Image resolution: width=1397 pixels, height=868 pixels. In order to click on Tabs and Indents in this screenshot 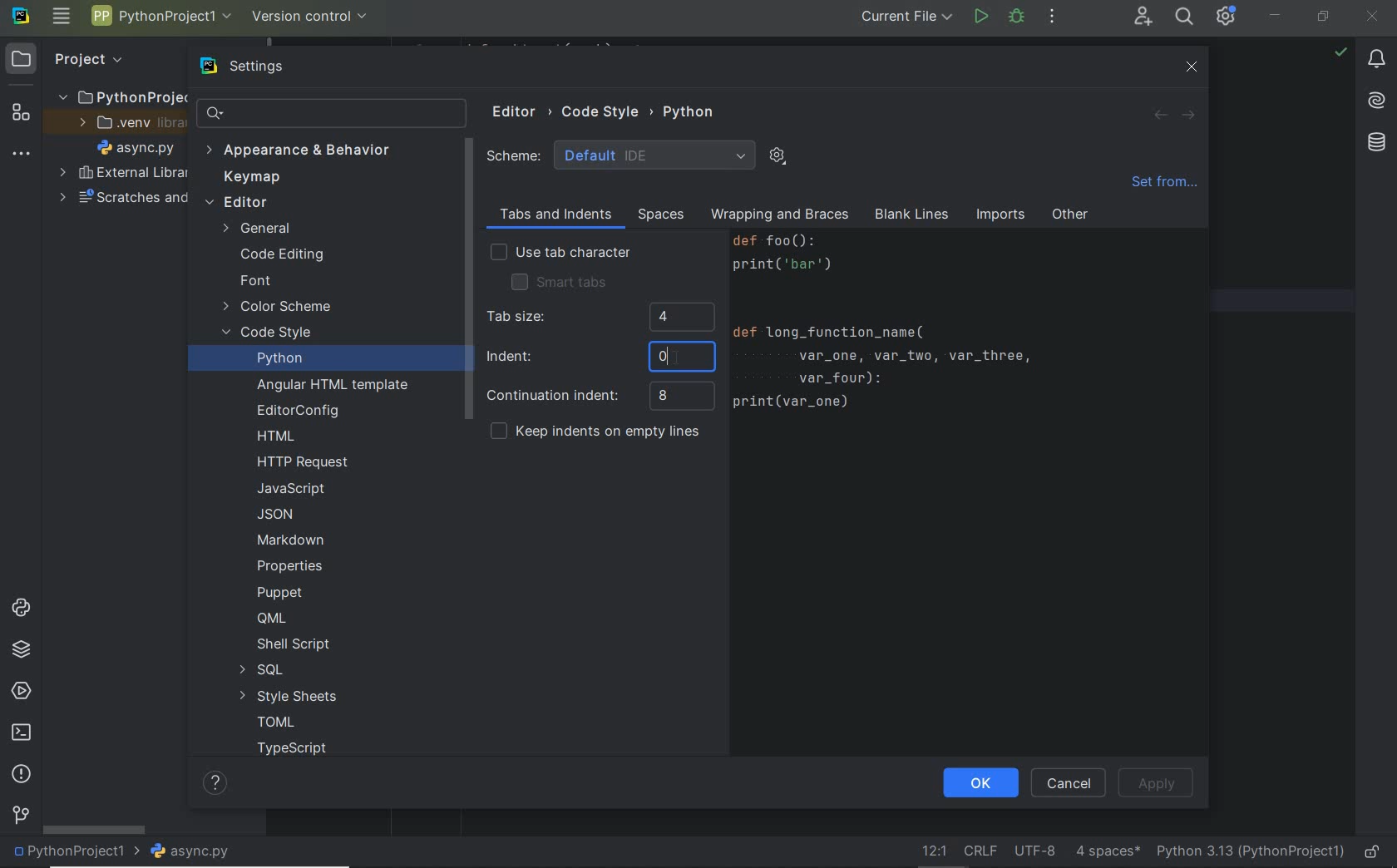, I will do `click(554, 215)`.